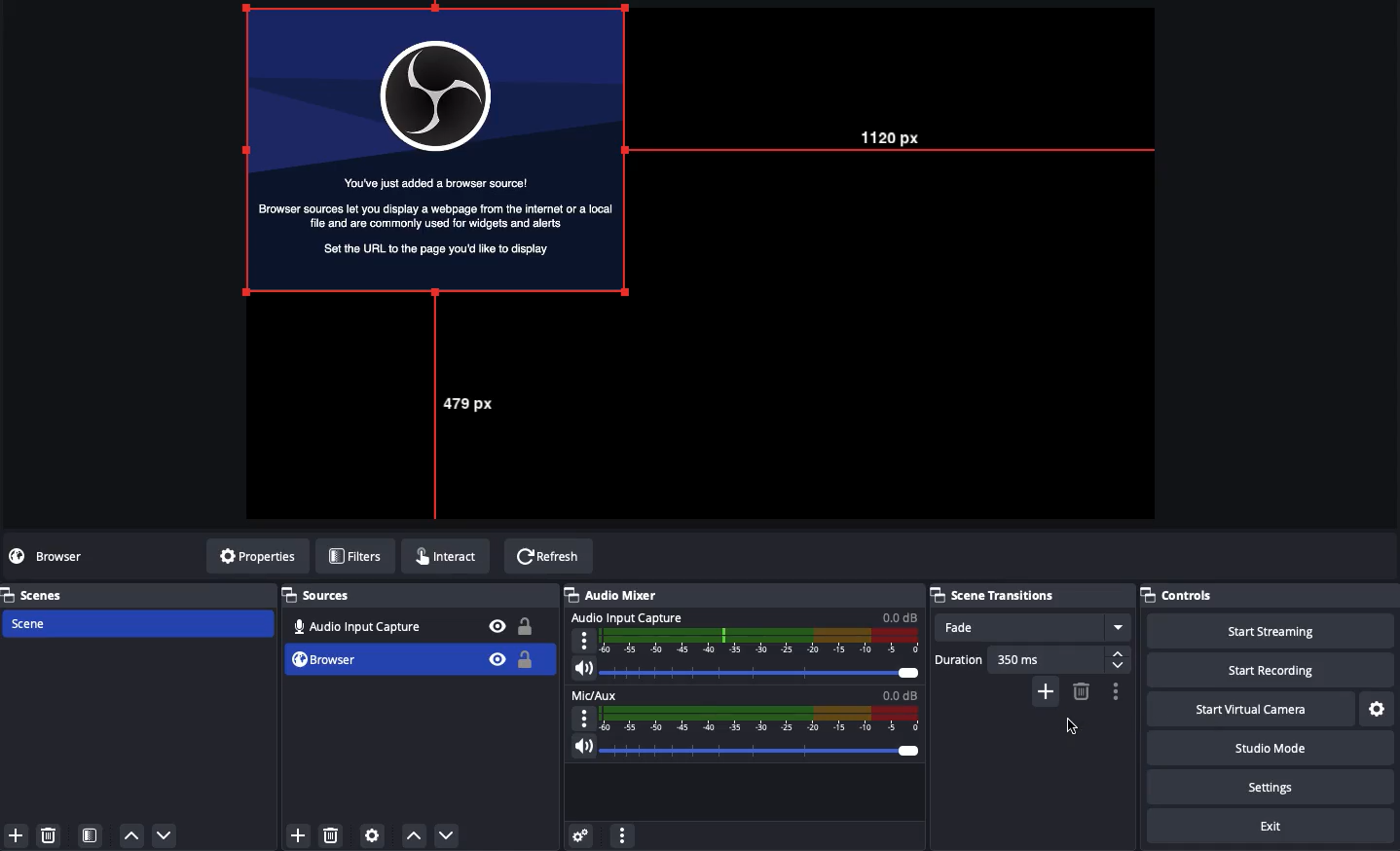  What do you see at coordinates (1074, 727) in the screenshot?
I see `Added filter` at bounding box center [1074, 727].